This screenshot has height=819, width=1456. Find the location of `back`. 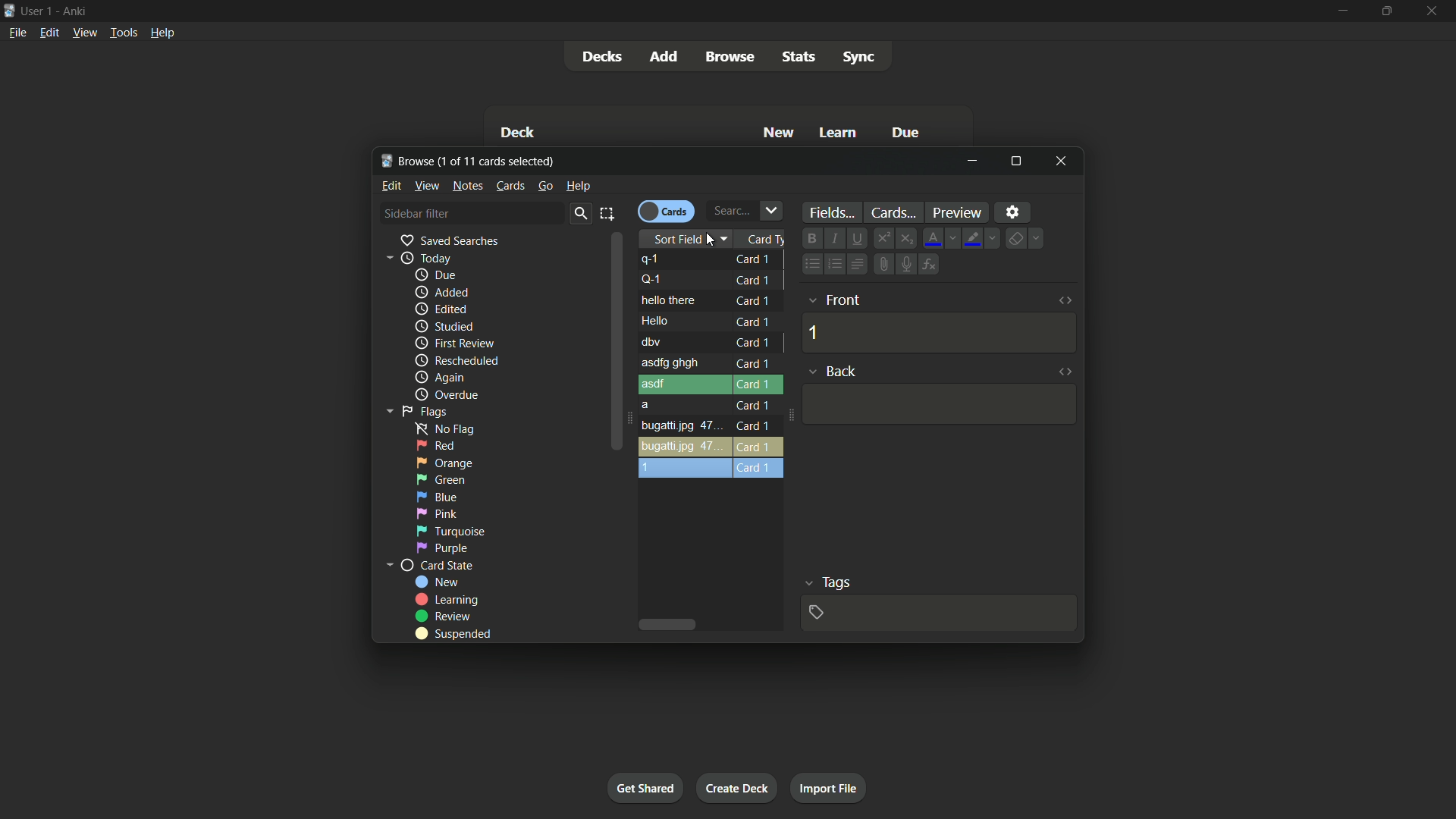

back is located at coordinates (844, 371).